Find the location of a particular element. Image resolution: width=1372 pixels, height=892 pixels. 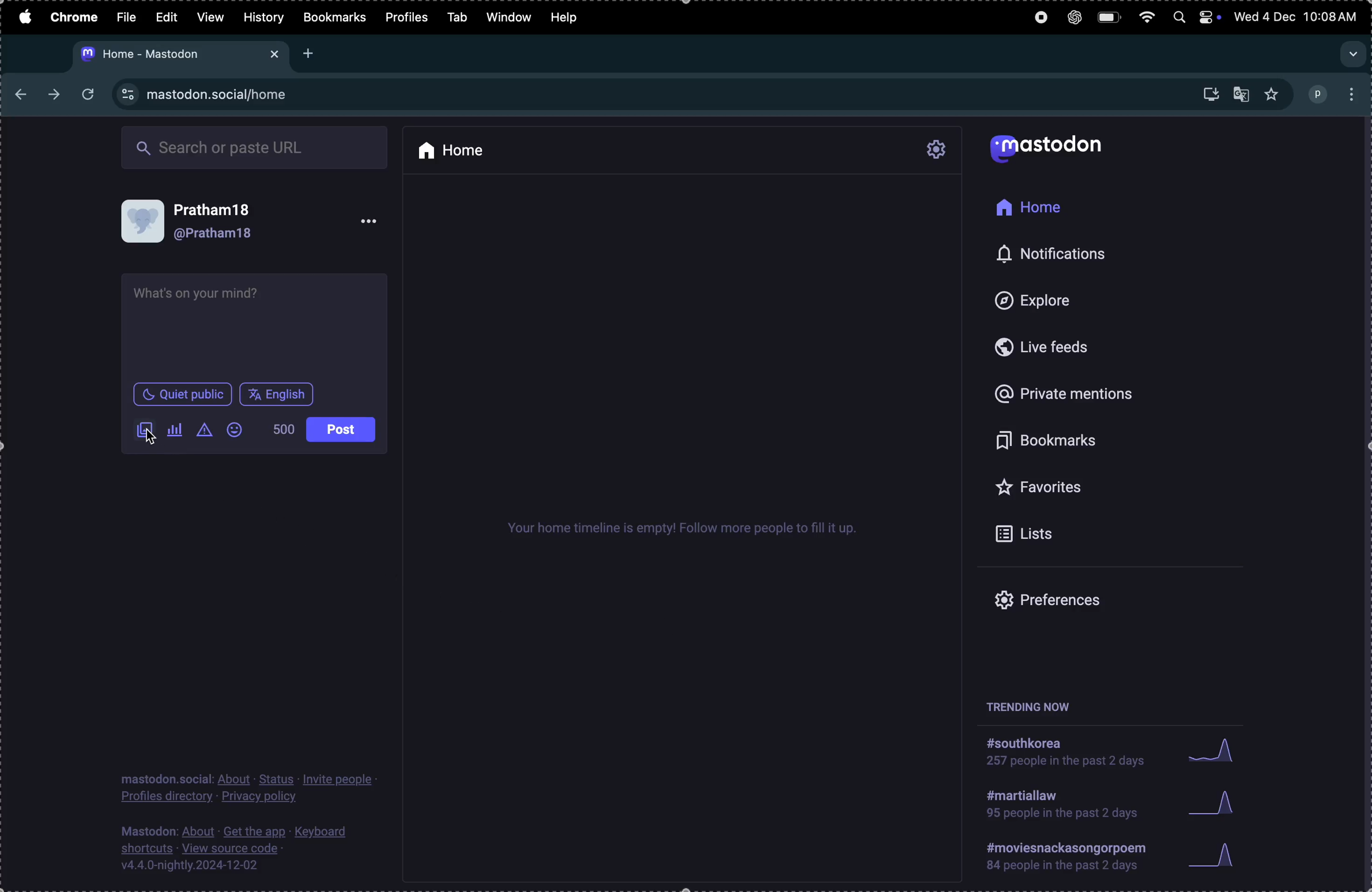

Mastodon is located at coordinates (1053, 146).